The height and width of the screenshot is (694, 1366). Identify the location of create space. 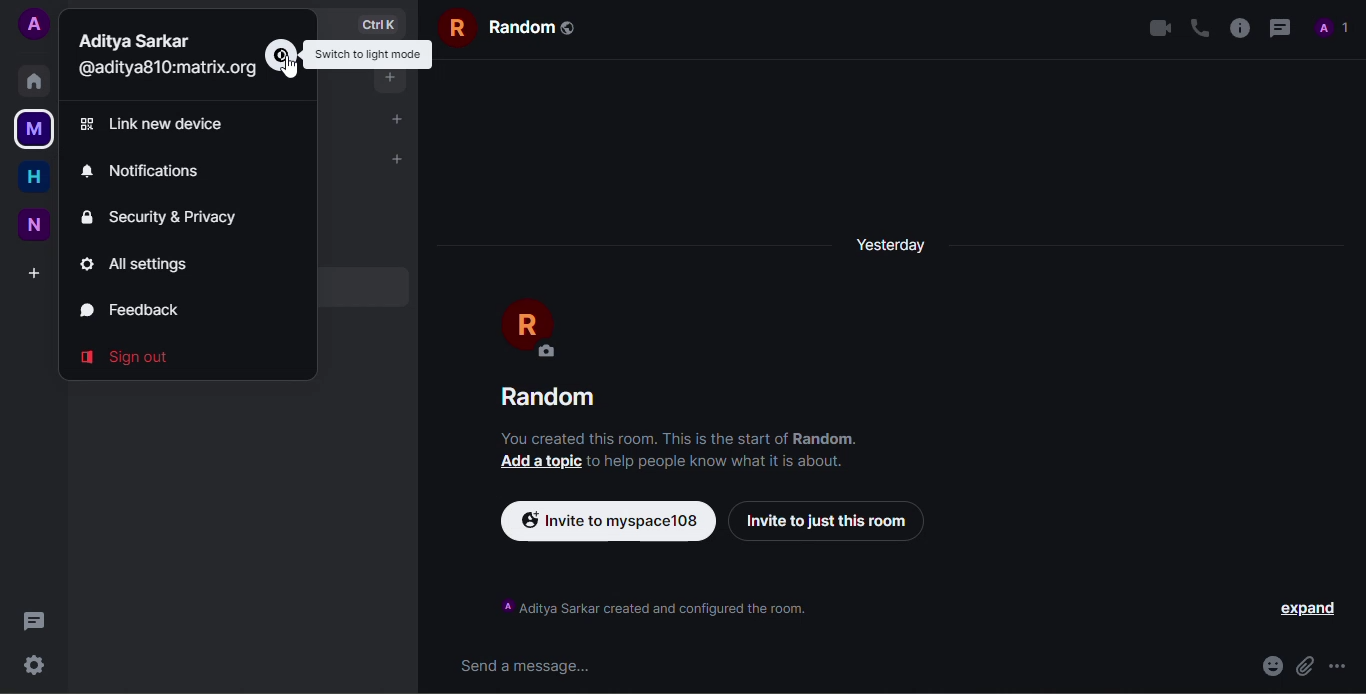
(38, 273).